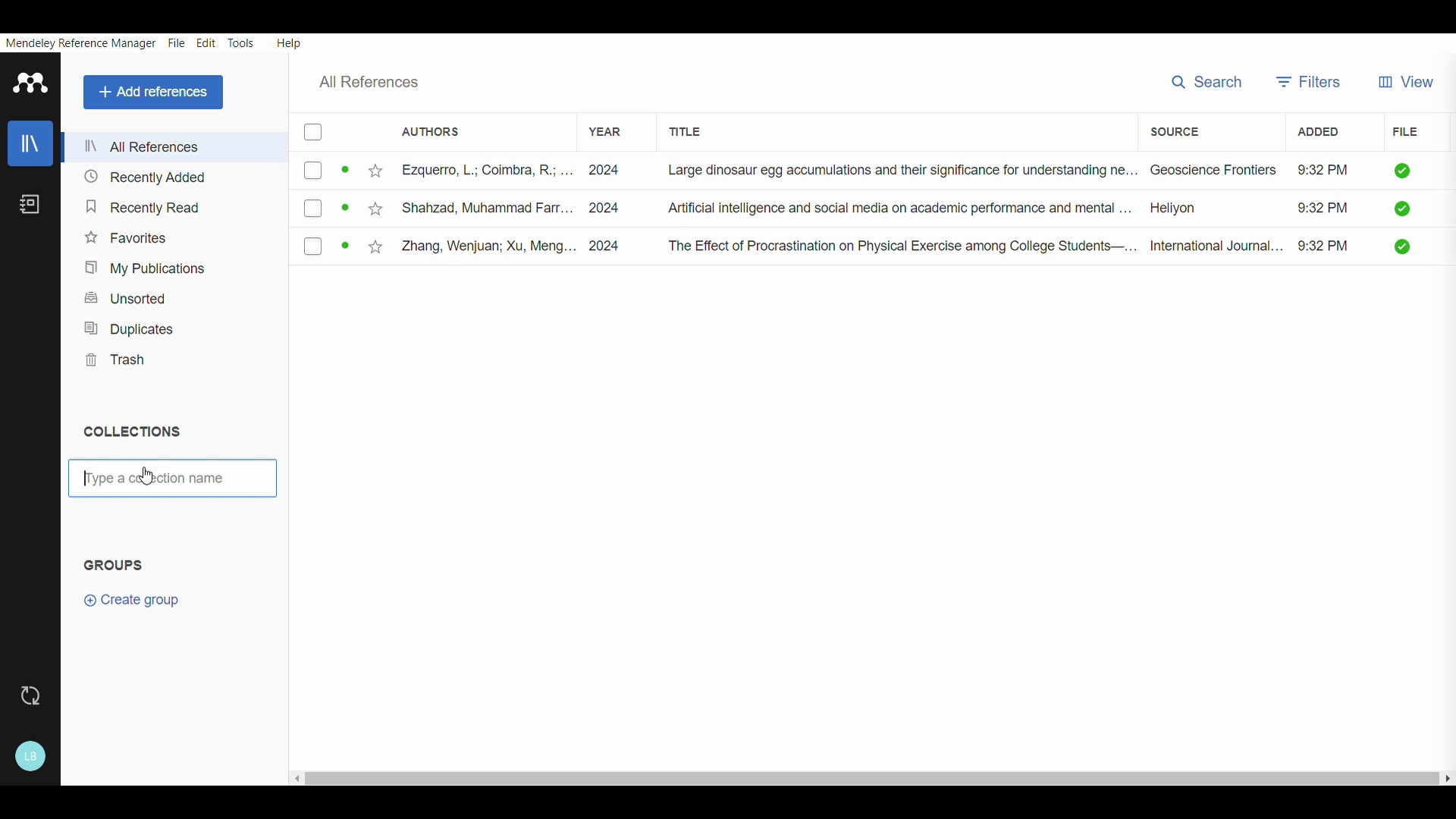 The image size is (1456, 819). What do you see at coordinates (140, 202) in the screenshot?
I see `Recently Read` at bounding box center [140, 202].